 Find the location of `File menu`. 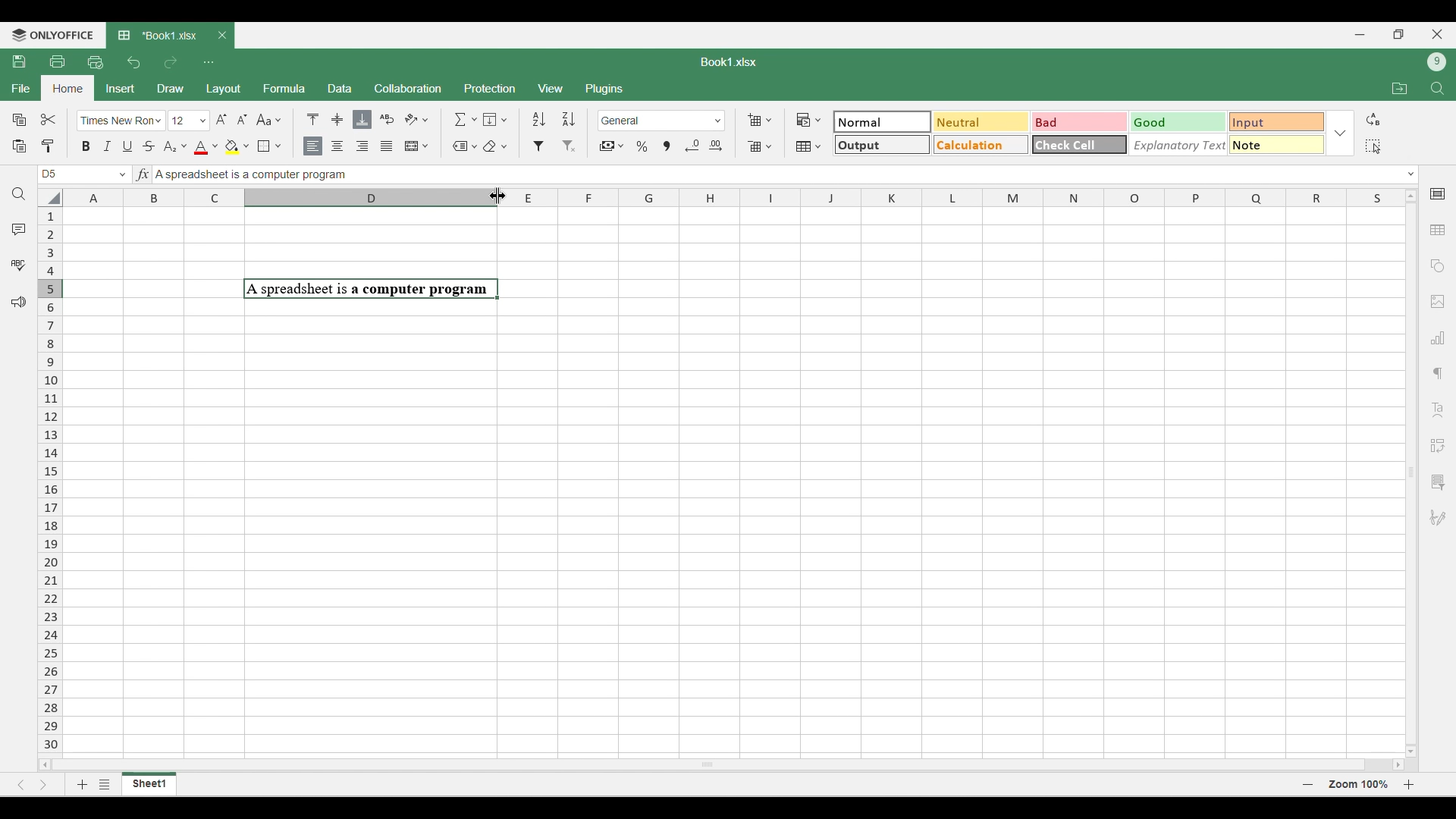

File menu is located at coordinates (20, 88).